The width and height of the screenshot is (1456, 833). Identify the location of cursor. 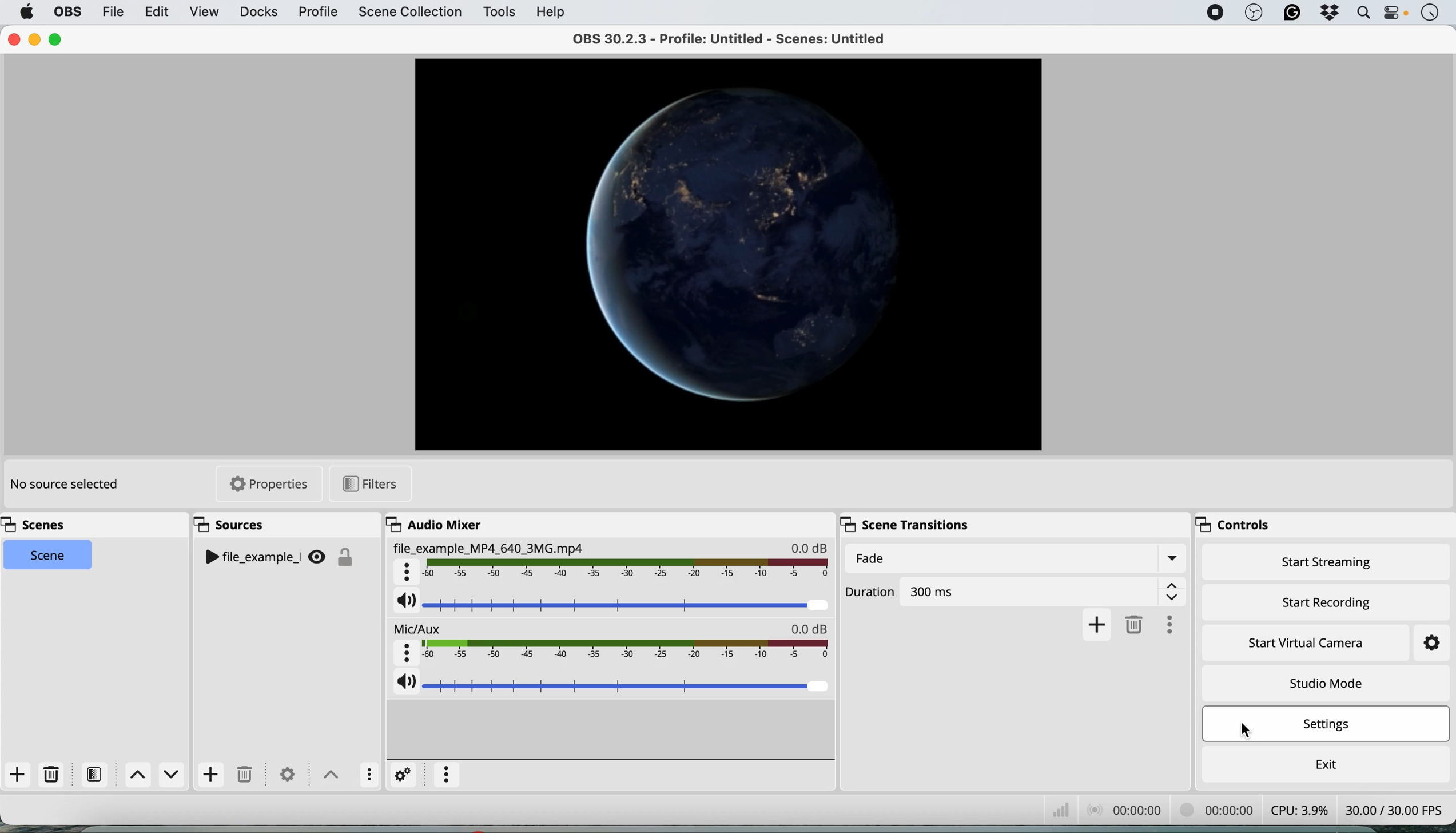
(1250, 727).